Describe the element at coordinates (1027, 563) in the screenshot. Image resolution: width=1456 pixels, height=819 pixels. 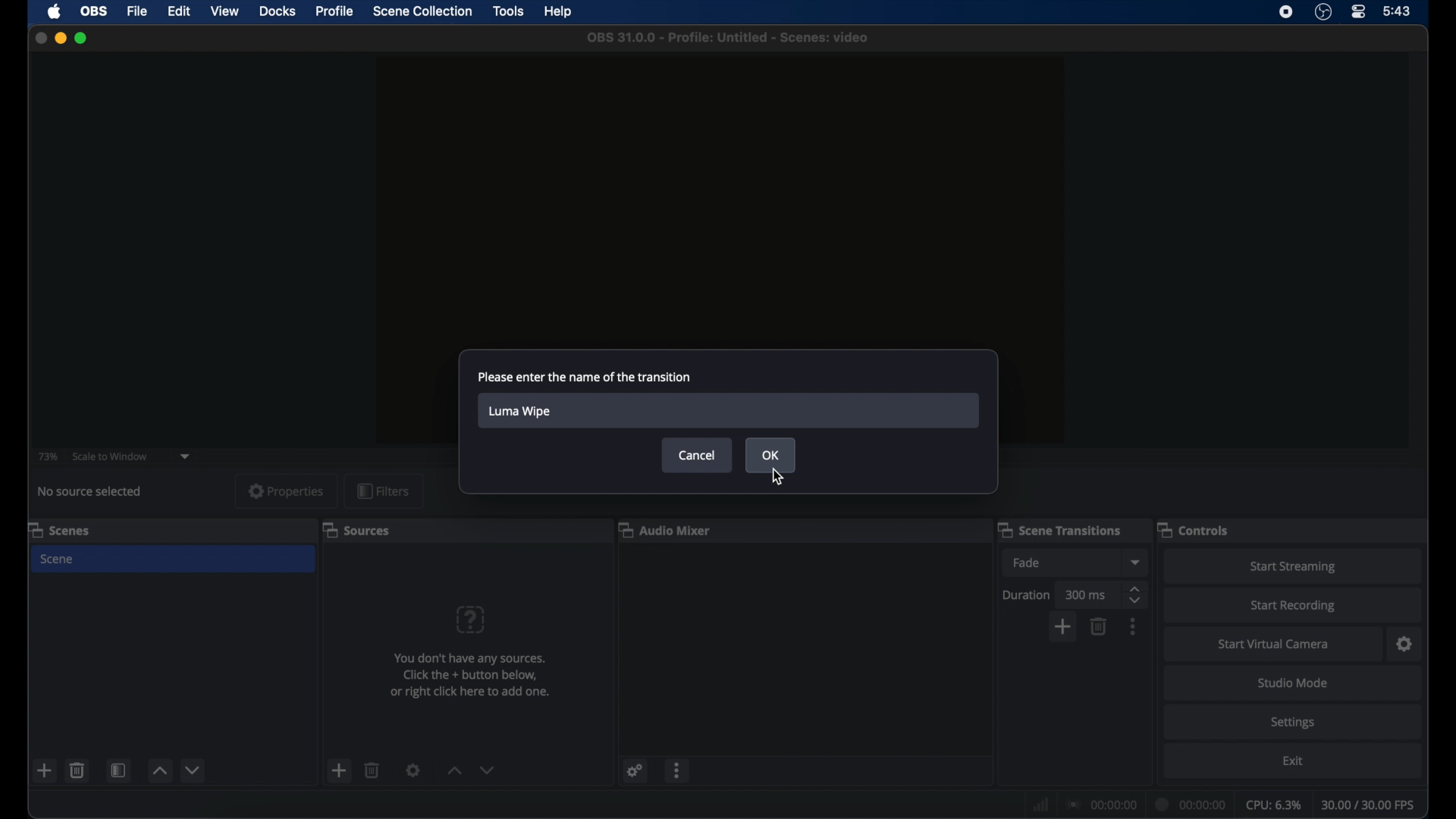
I see `fade` at that location.